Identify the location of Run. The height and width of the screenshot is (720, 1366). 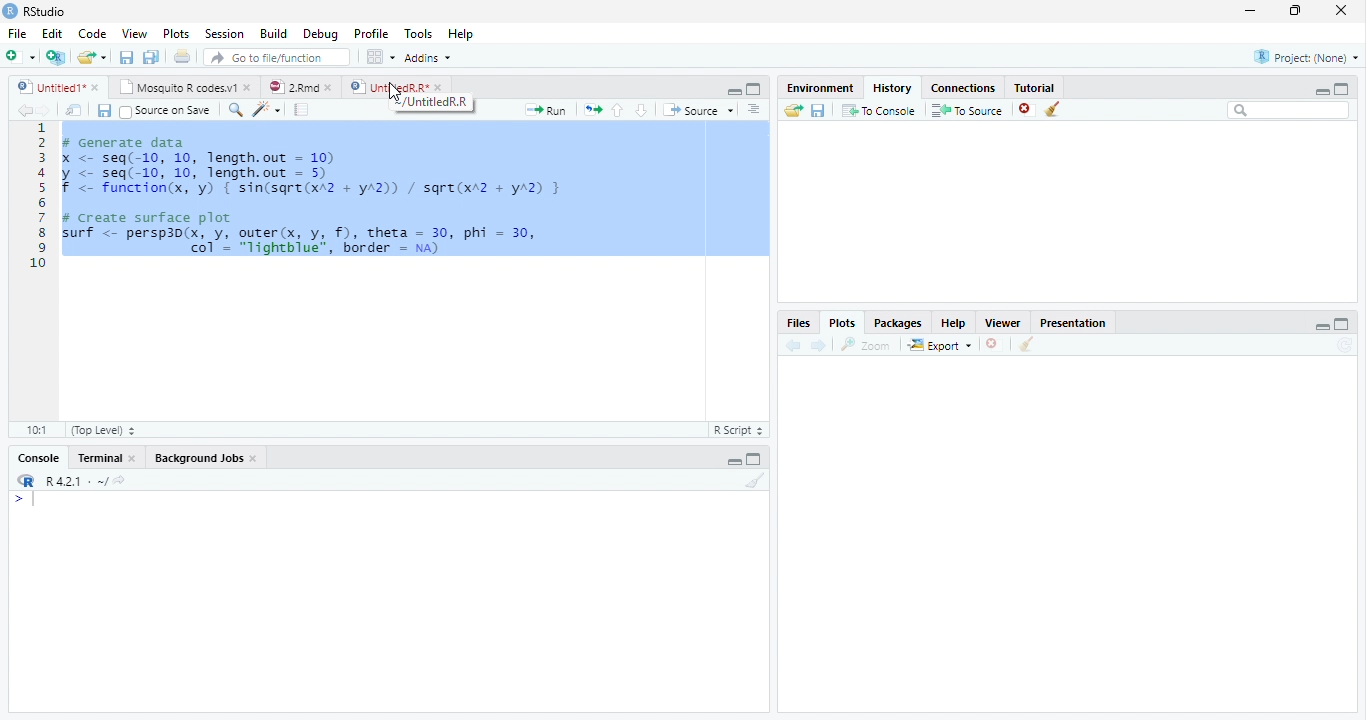
(544, 110).